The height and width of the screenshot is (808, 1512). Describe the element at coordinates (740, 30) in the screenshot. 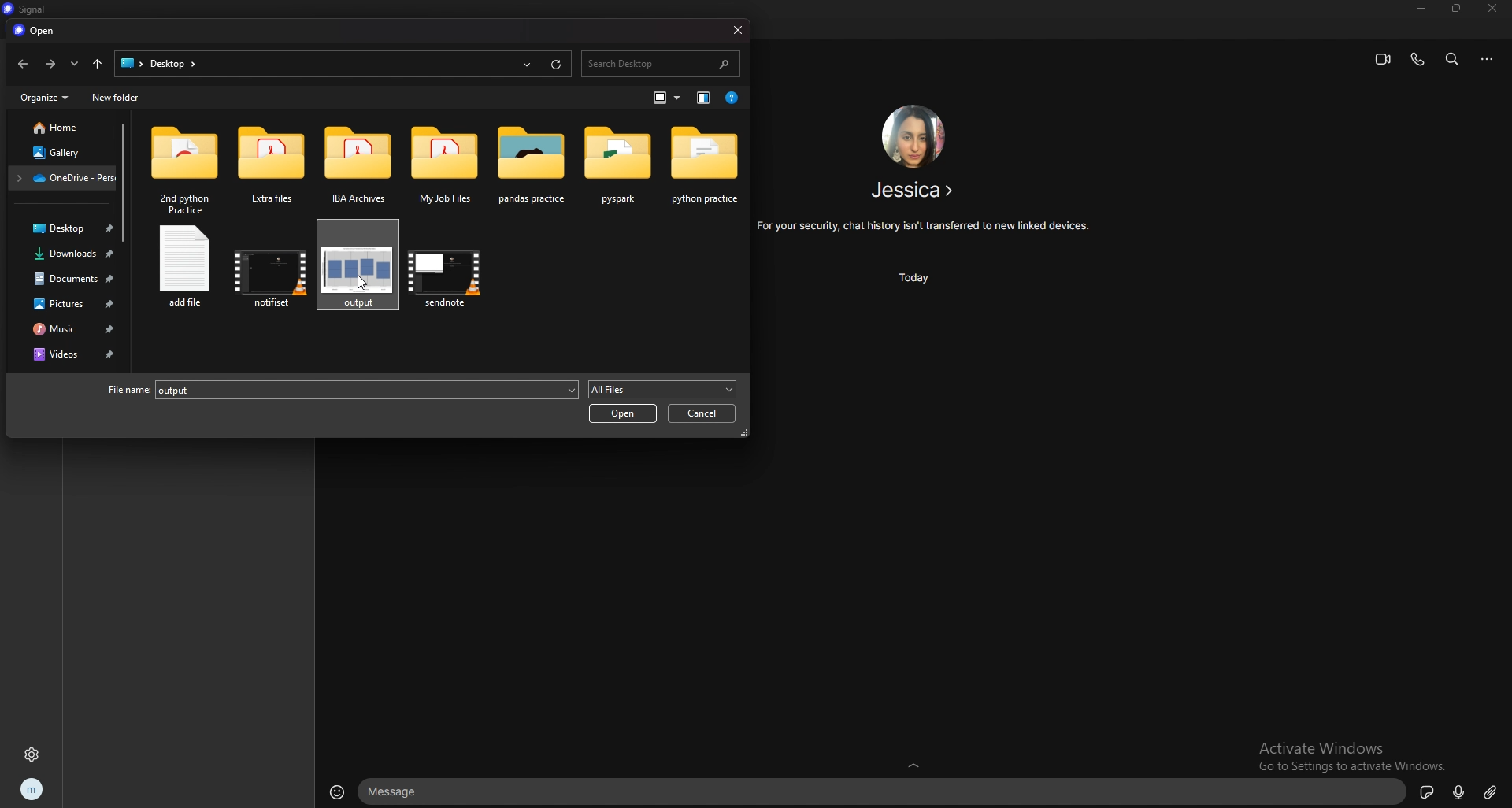

I see `close` at that location.